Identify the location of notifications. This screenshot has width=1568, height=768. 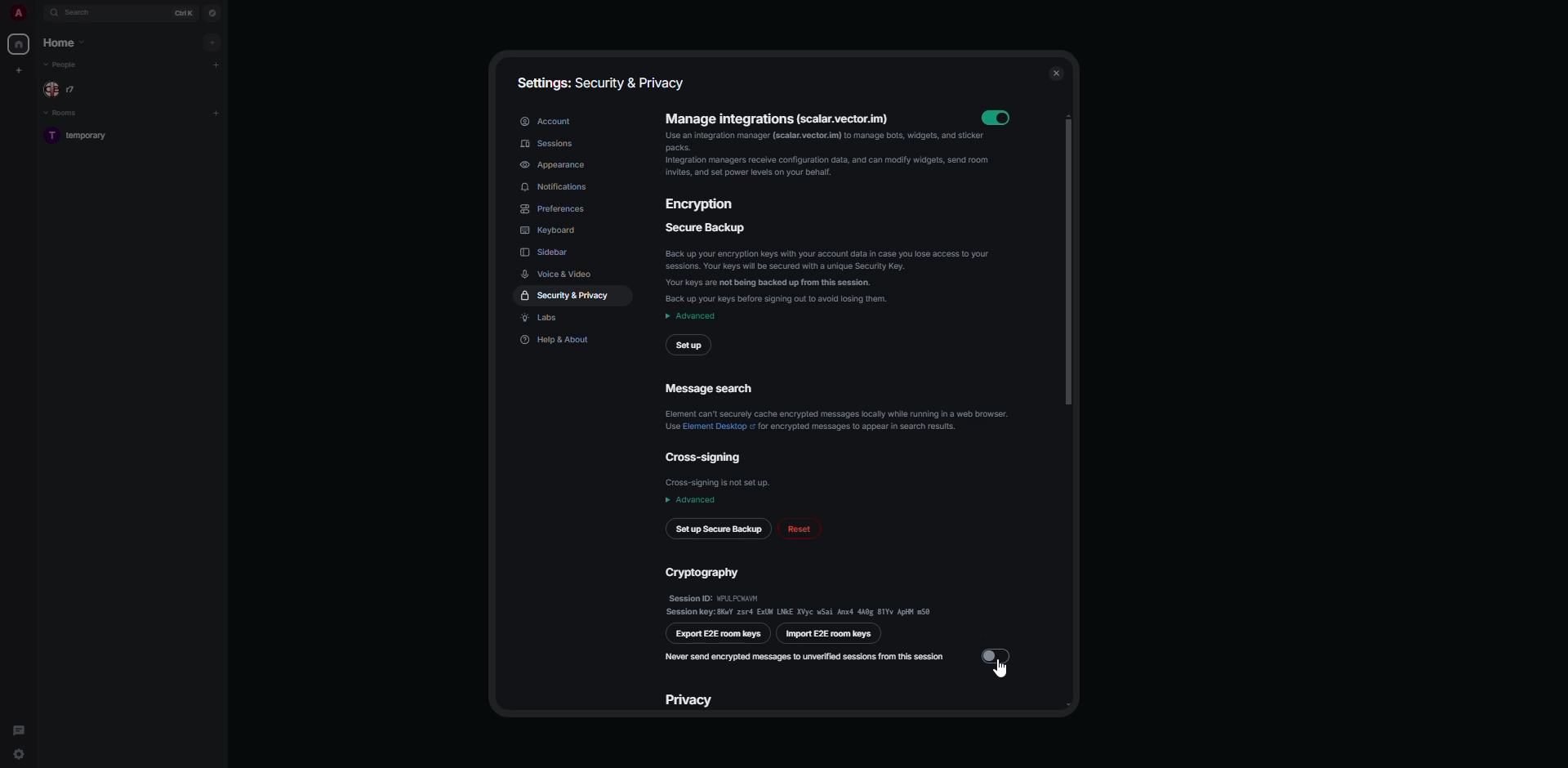
(559, 187).